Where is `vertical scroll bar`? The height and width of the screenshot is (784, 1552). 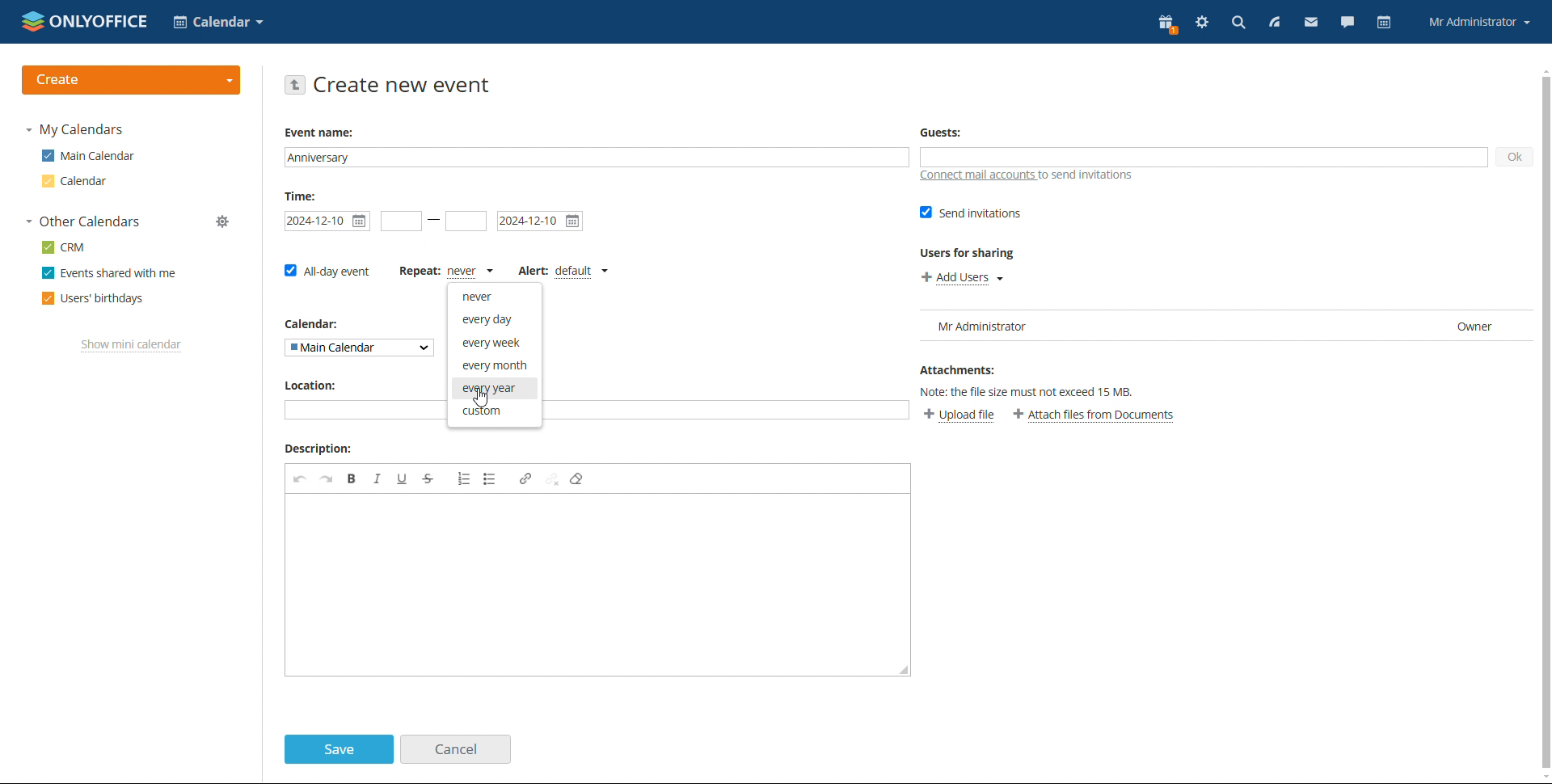
vertical scroll bar is located at coordinates (1542, 427).